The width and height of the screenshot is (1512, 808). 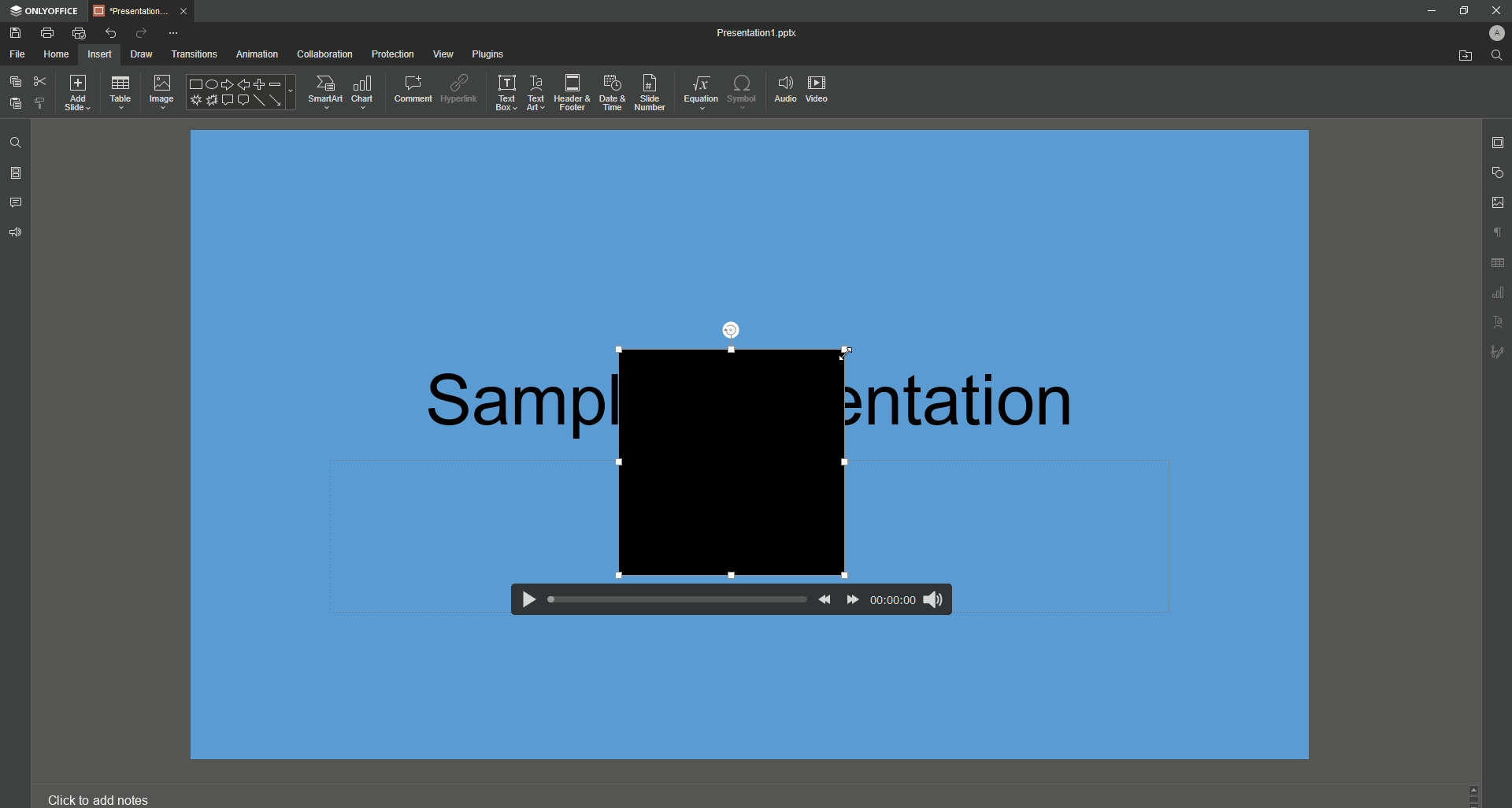 What do you see at coordinates (256, 55) in the screenshot?
I see `Animation` at bounding box center [256, 55].